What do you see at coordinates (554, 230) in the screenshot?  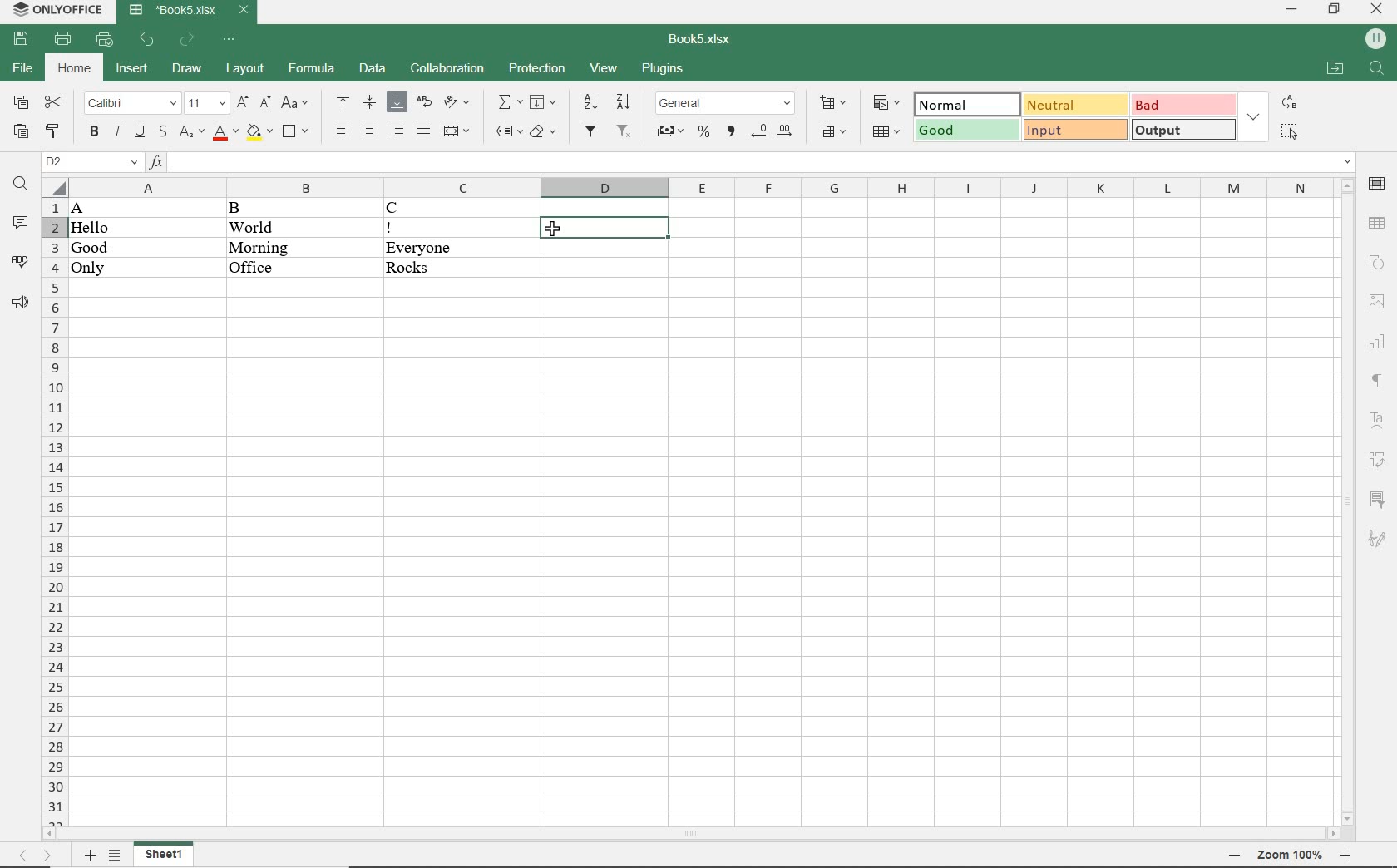 I see `cursor` at bounding box center [554, 230].